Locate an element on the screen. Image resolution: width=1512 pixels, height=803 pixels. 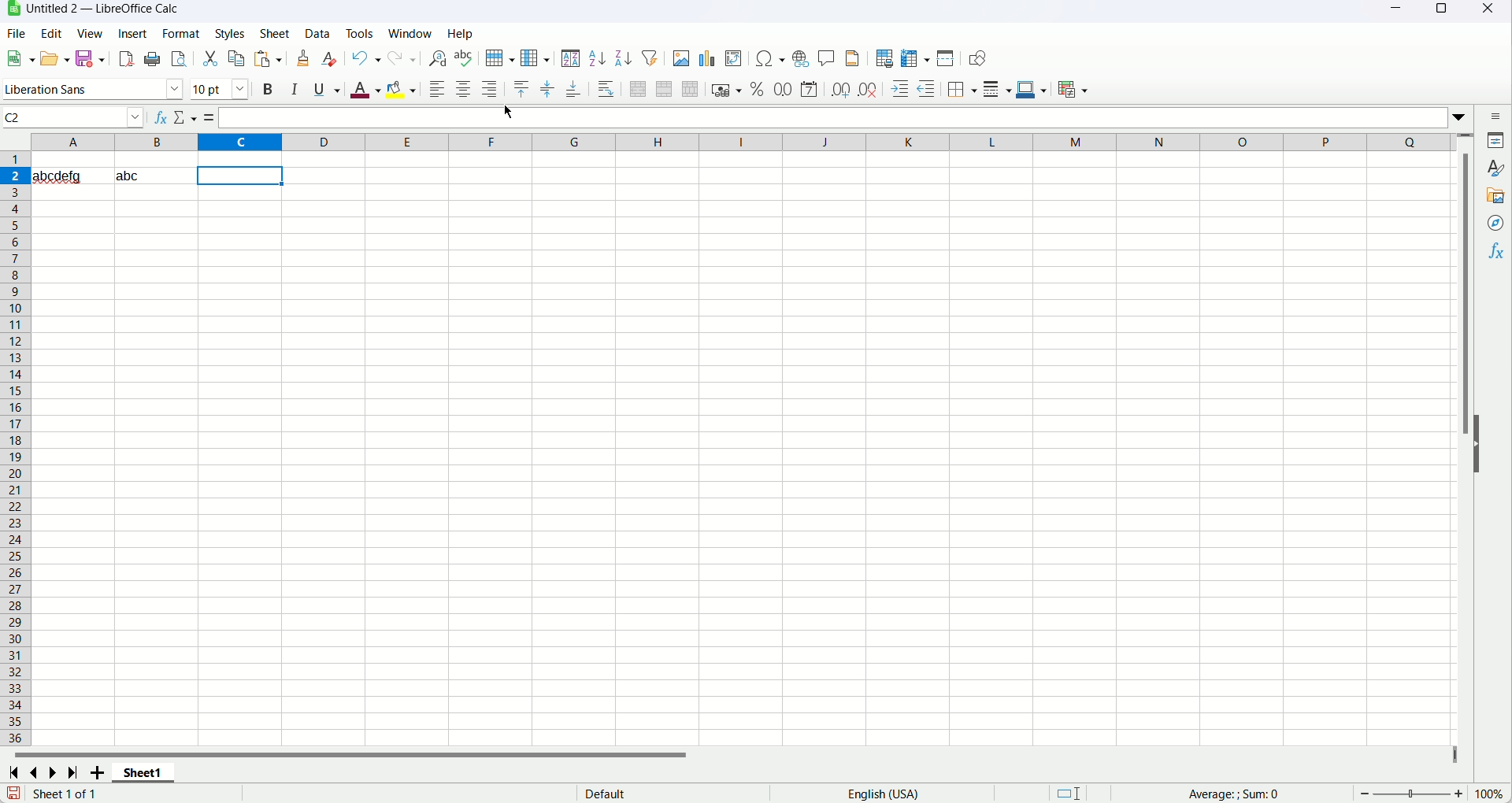
row is located at coordinates (500, 59).